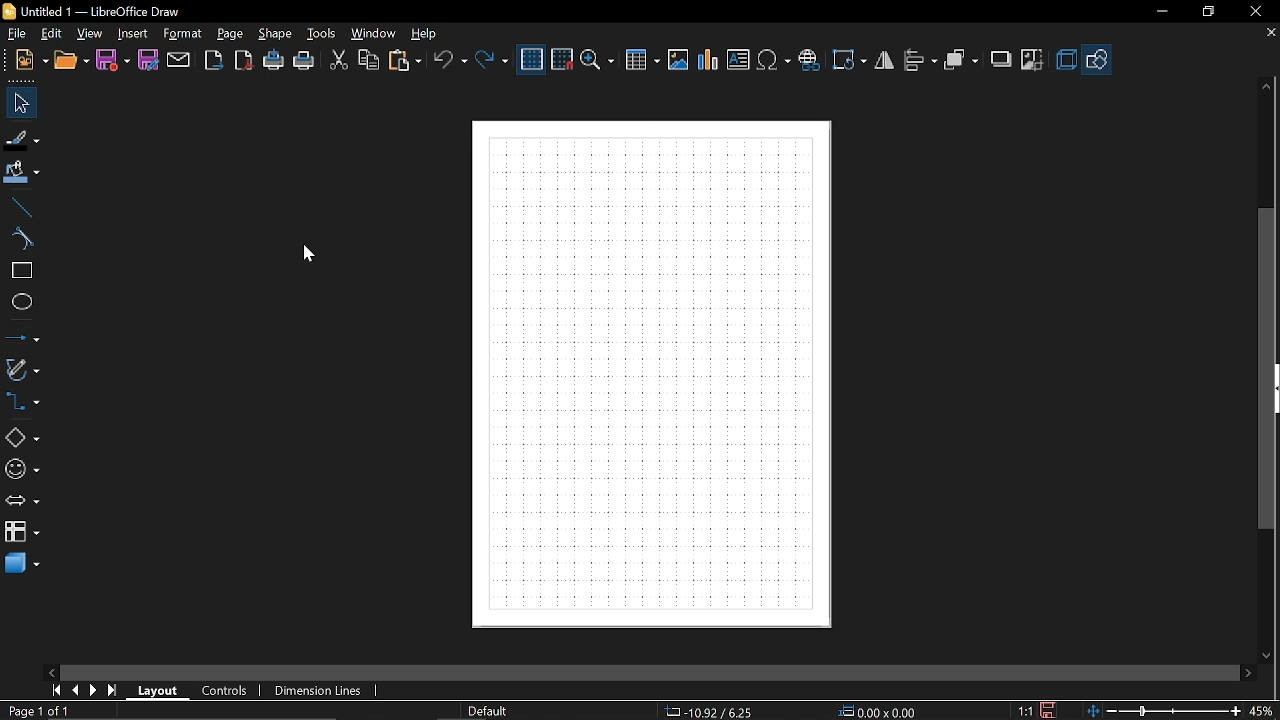  What do you see at coordinates (149, 61) in the screenshot?
I see `save as` at bounding box center [149, 61].